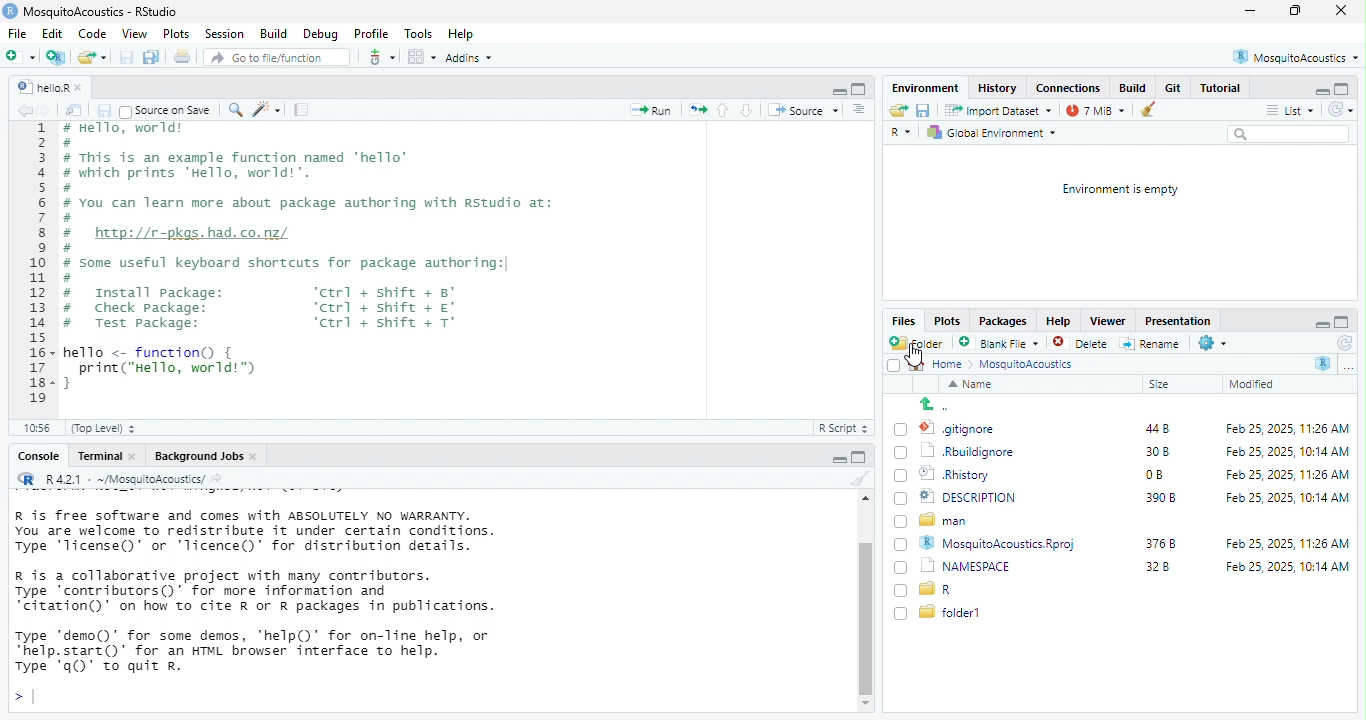  Describe the element at coordinates (135, 35) in the screenshot. I see `View` at that location.